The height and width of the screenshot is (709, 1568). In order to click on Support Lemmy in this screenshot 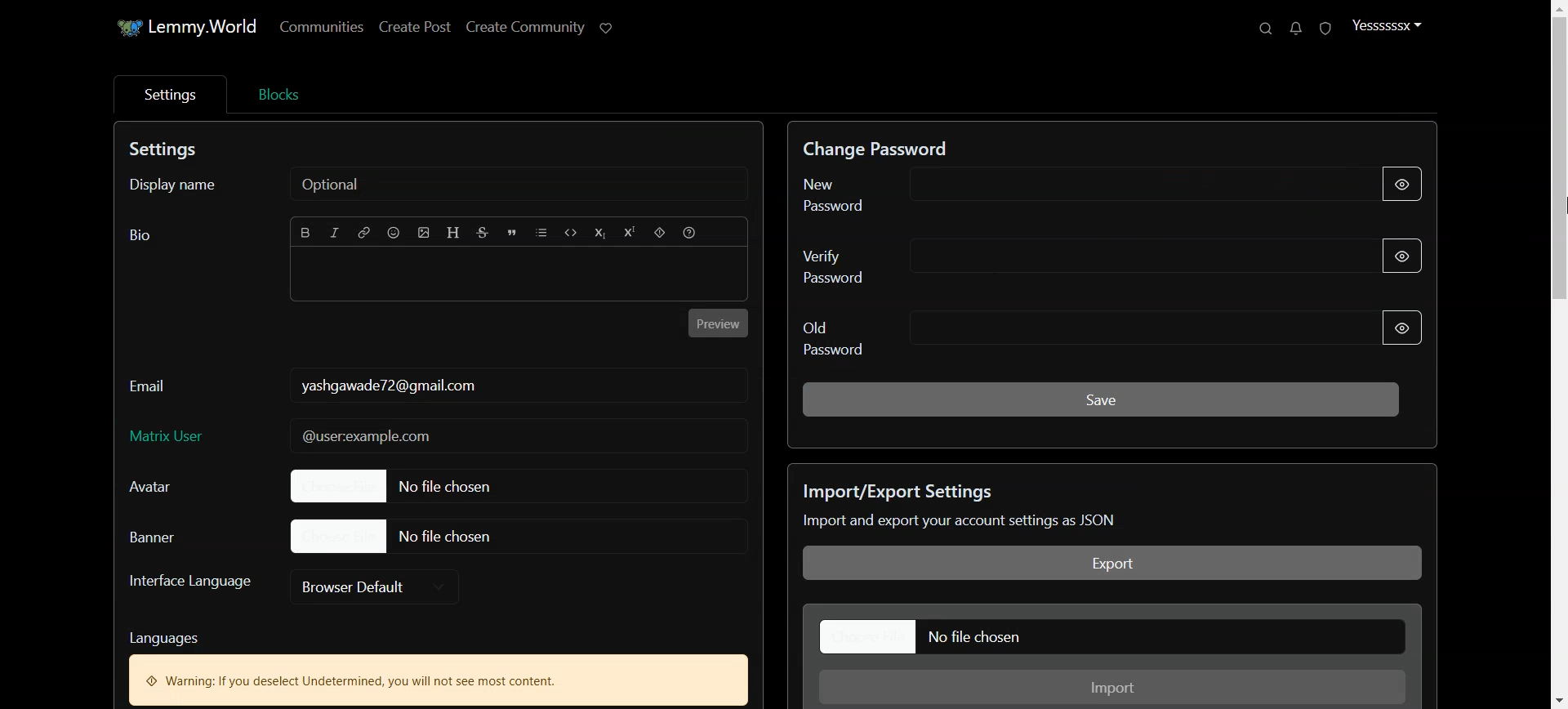, I will do `click(608, 28)`.